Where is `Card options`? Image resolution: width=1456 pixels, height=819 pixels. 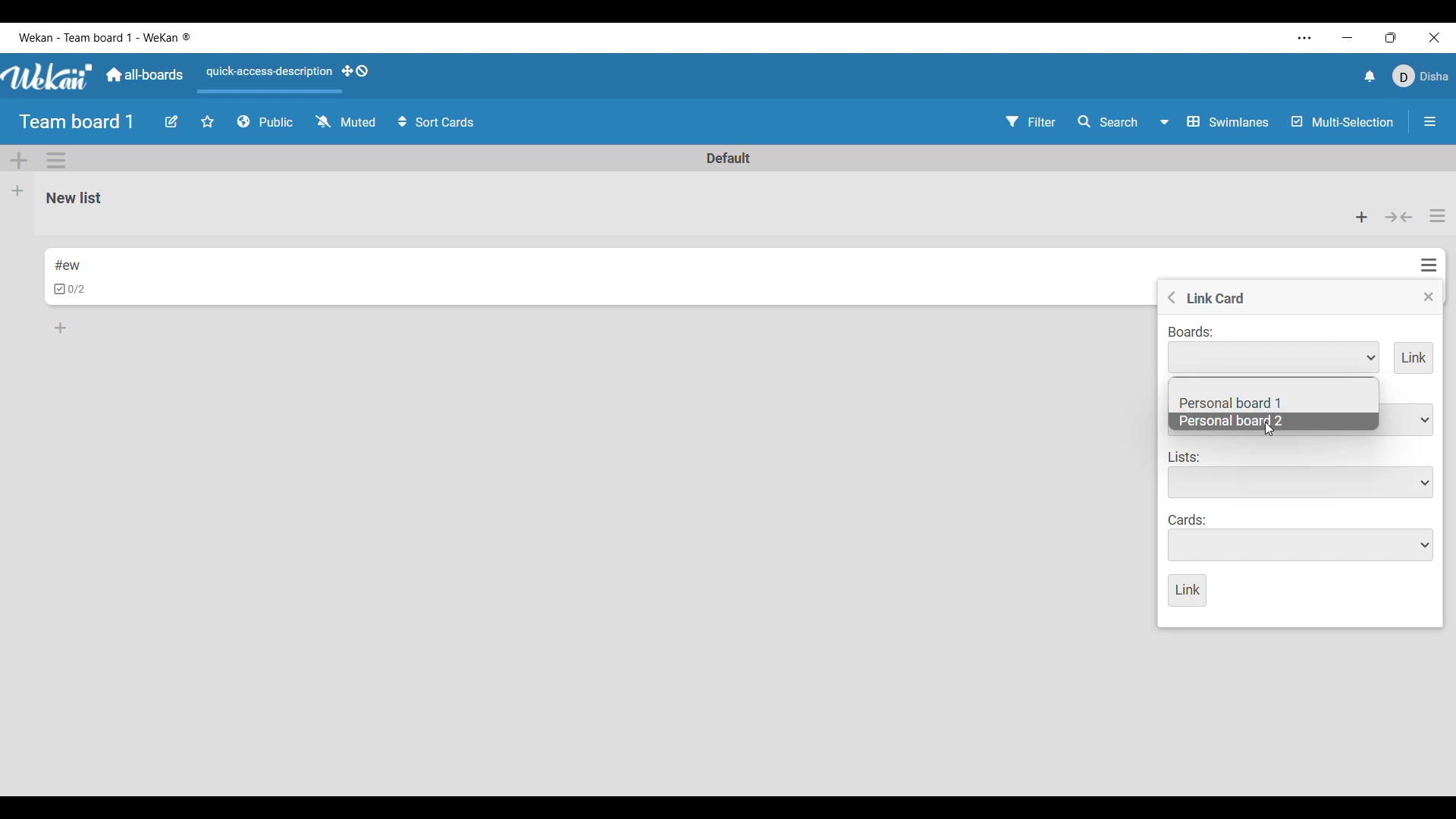
Card options is located at coordinates (1301, 545).